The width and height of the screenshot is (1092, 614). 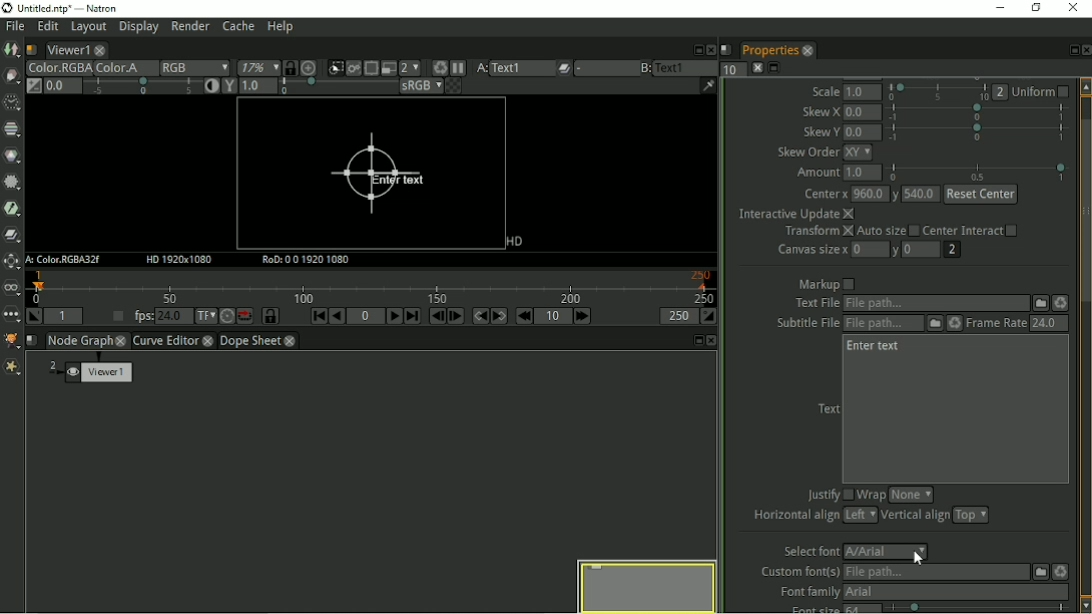 I want to click on Previous keyframe, so click(x=479, y=316).